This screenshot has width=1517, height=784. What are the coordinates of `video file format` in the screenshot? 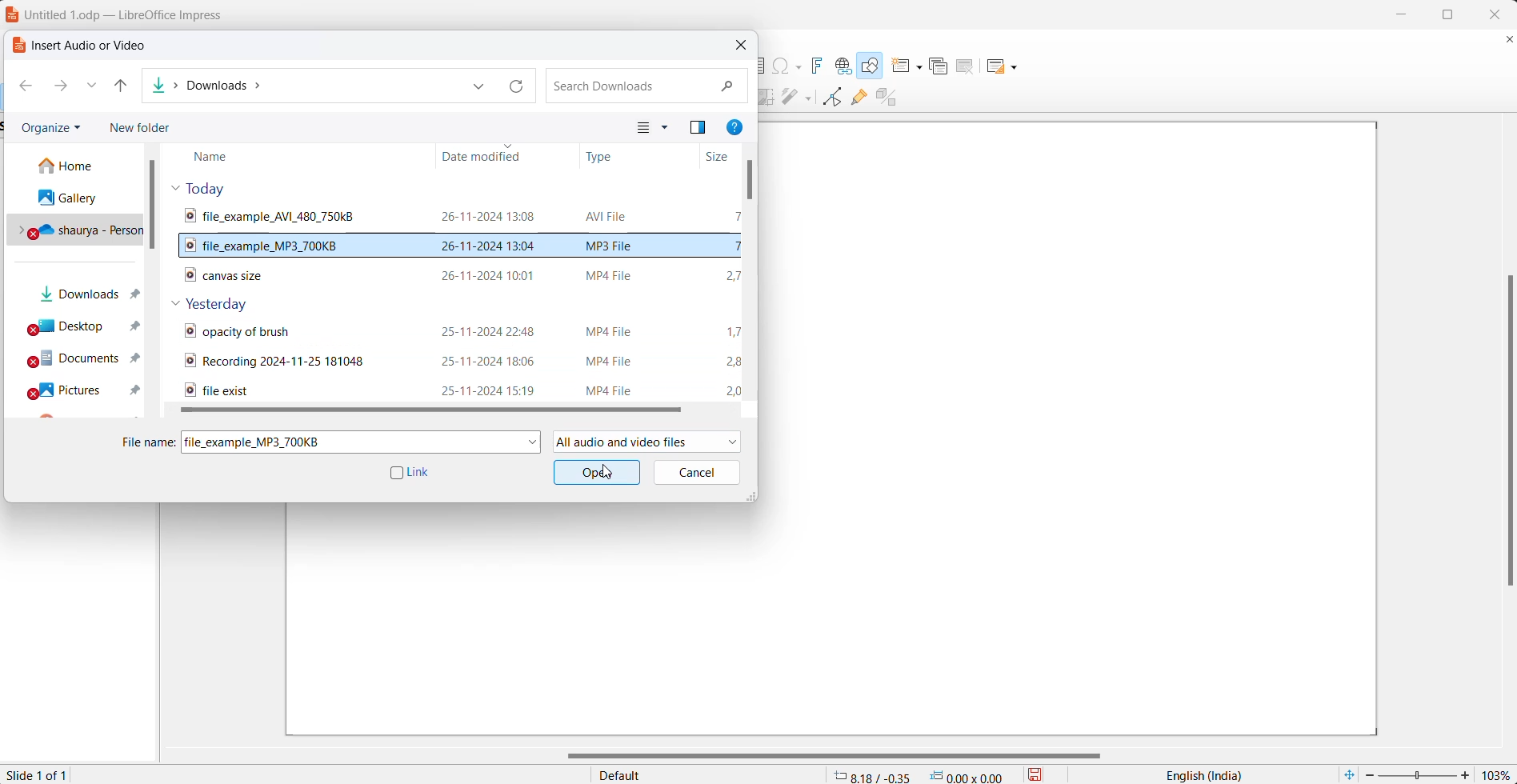 It's located at (611, 216).